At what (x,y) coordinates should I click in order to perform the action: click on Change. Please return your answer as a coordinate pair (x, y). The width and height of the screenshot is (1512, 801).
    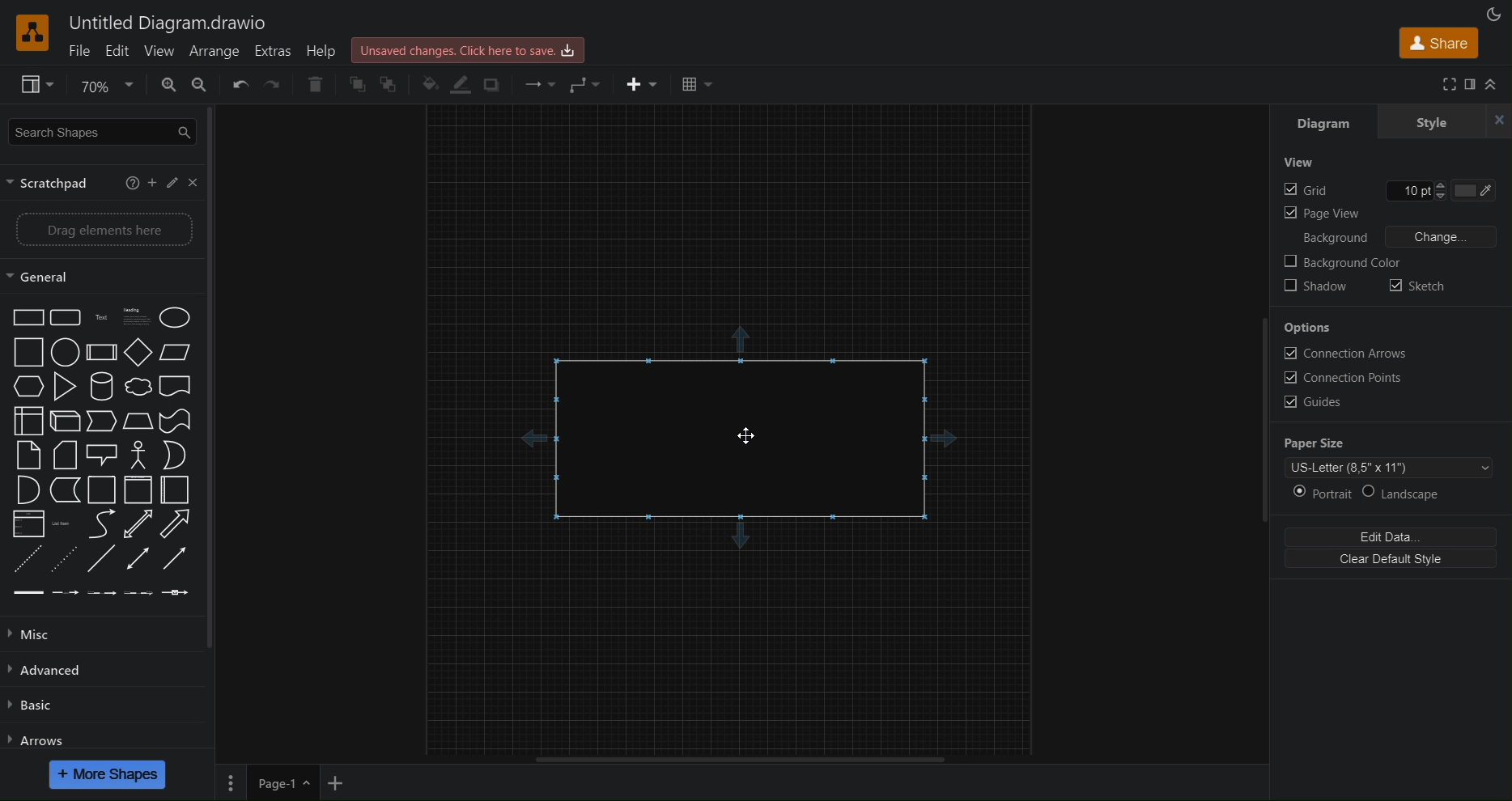
    Looking at the image, I should click on (1444, 235).